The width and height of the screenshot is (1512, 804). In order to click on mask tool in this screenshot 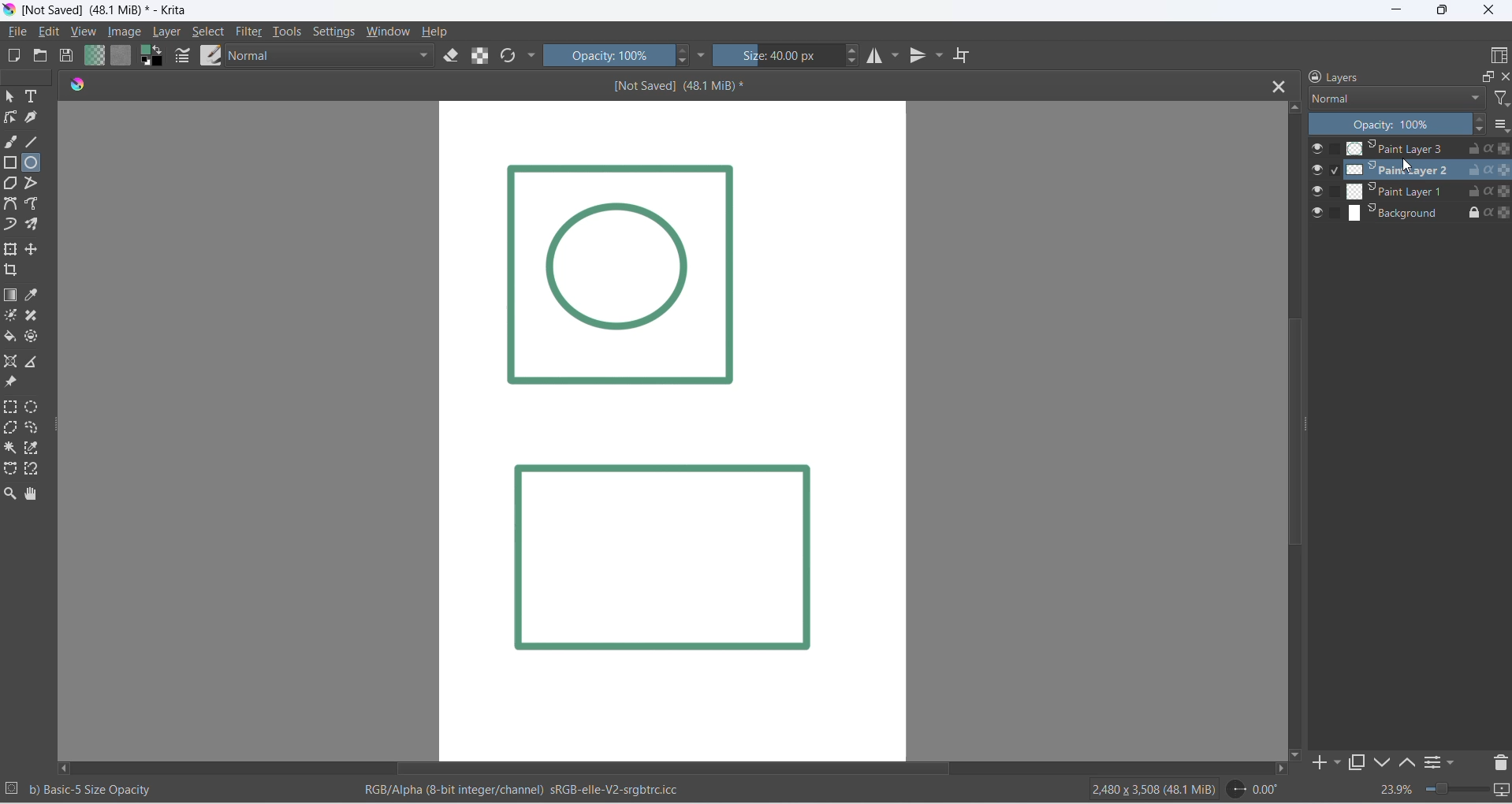, I will do `click(11, 316)`.